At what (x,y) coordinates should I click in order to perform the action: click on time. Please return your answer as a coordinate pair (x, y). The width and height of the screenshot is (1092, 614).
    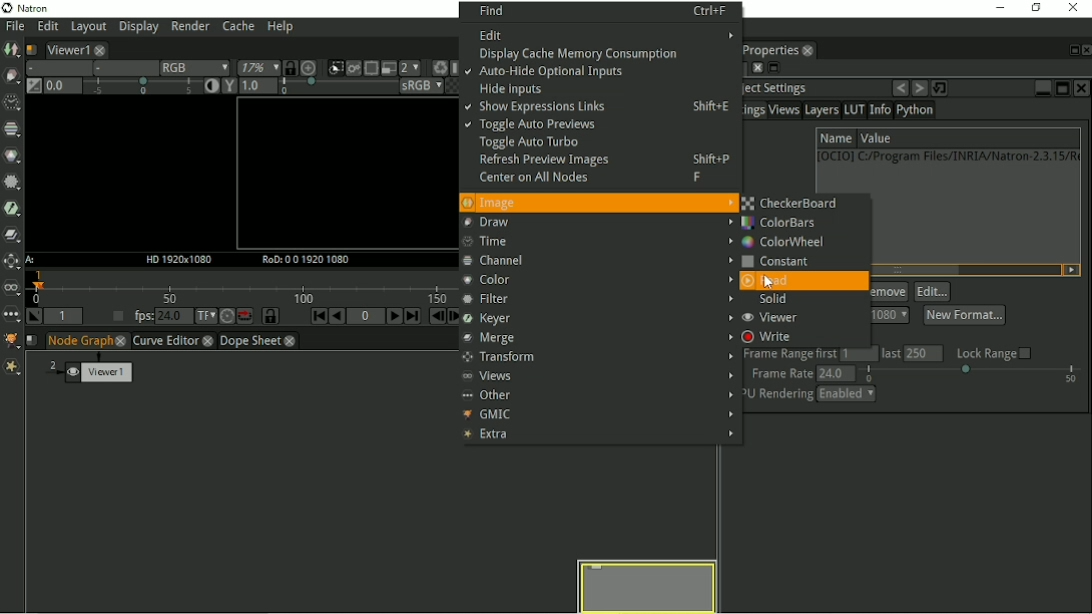
    Looking at the image, I should click on (594, 242).